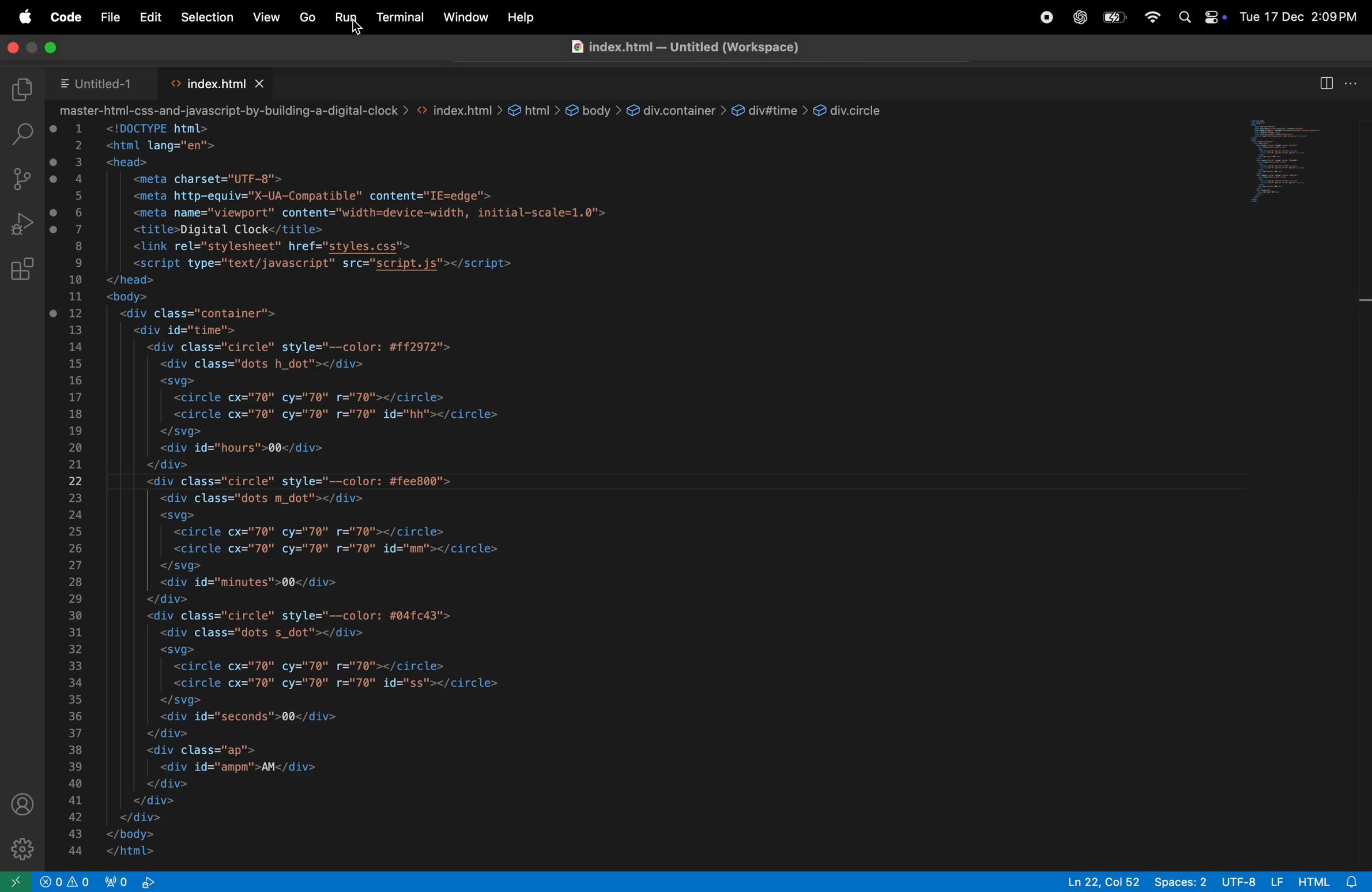 This screenshot has height=892, width=1372. Describe the element at coordinates (20, 844) in the screenshot. I see `settings` at that location.